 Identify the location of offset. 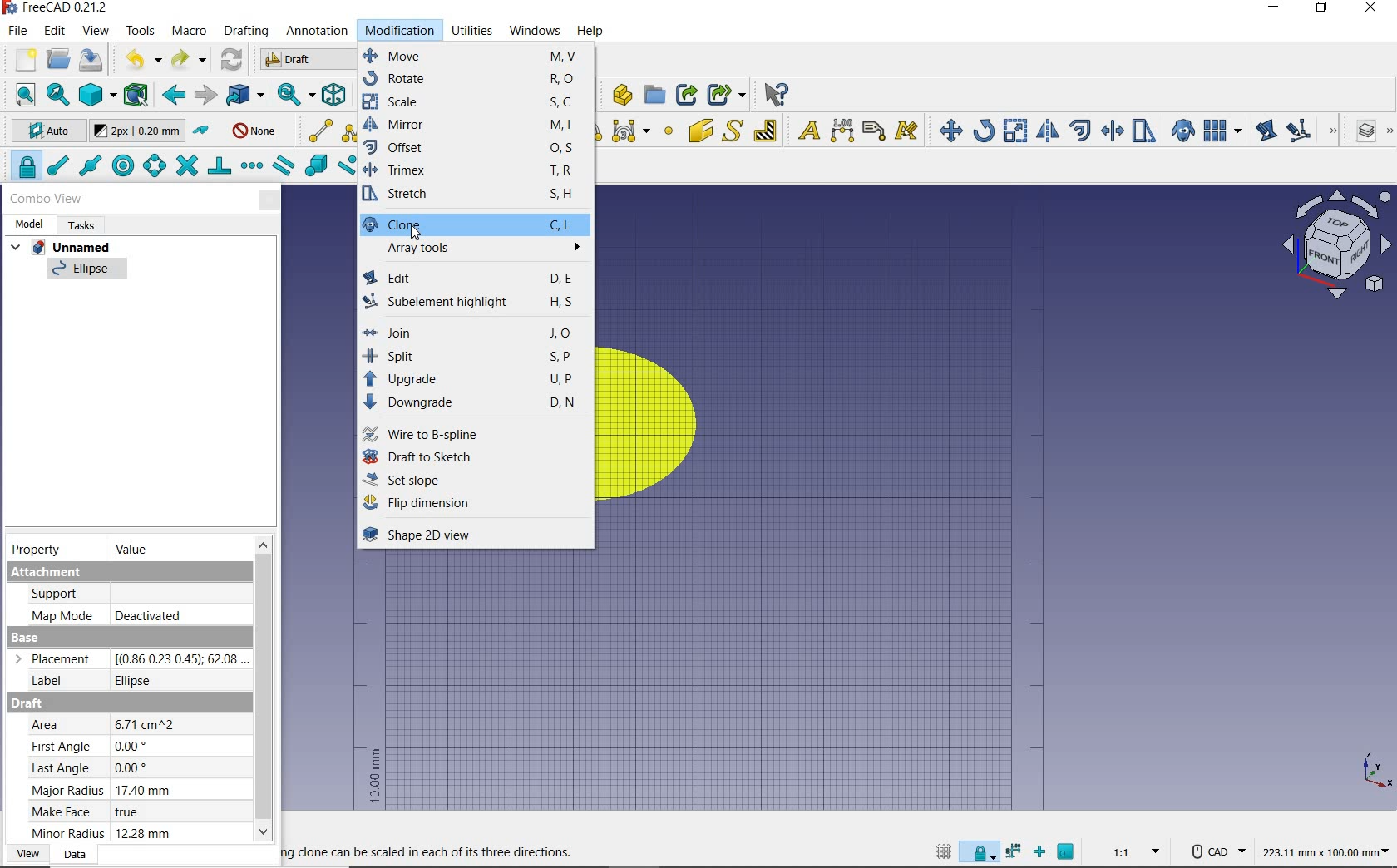
(1079, 131).